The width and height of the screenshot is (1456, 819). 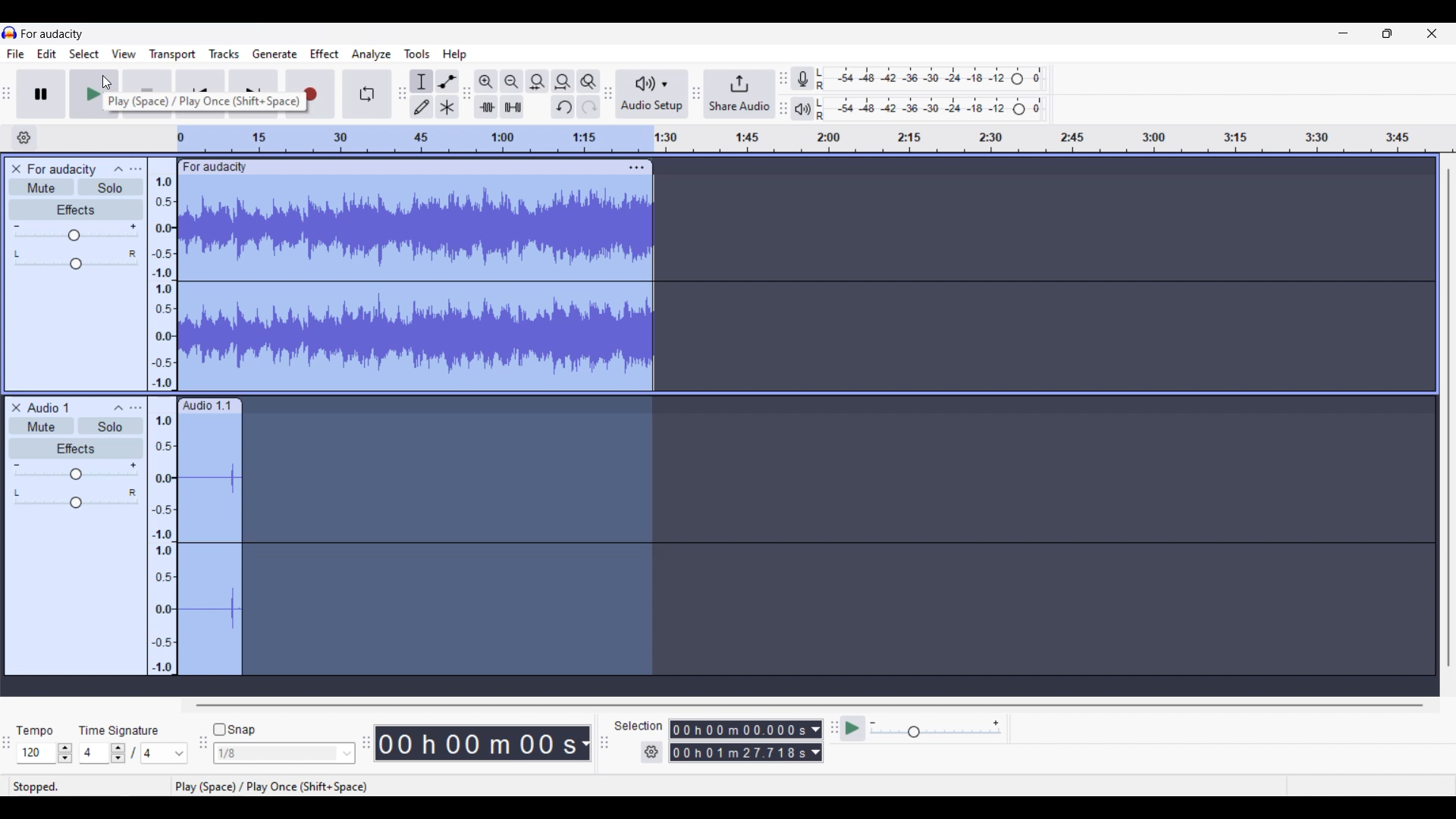 What do you see at coordinates (135, 168) in the screenshot?
I see `Open menu` at bounding box center [135, 168].